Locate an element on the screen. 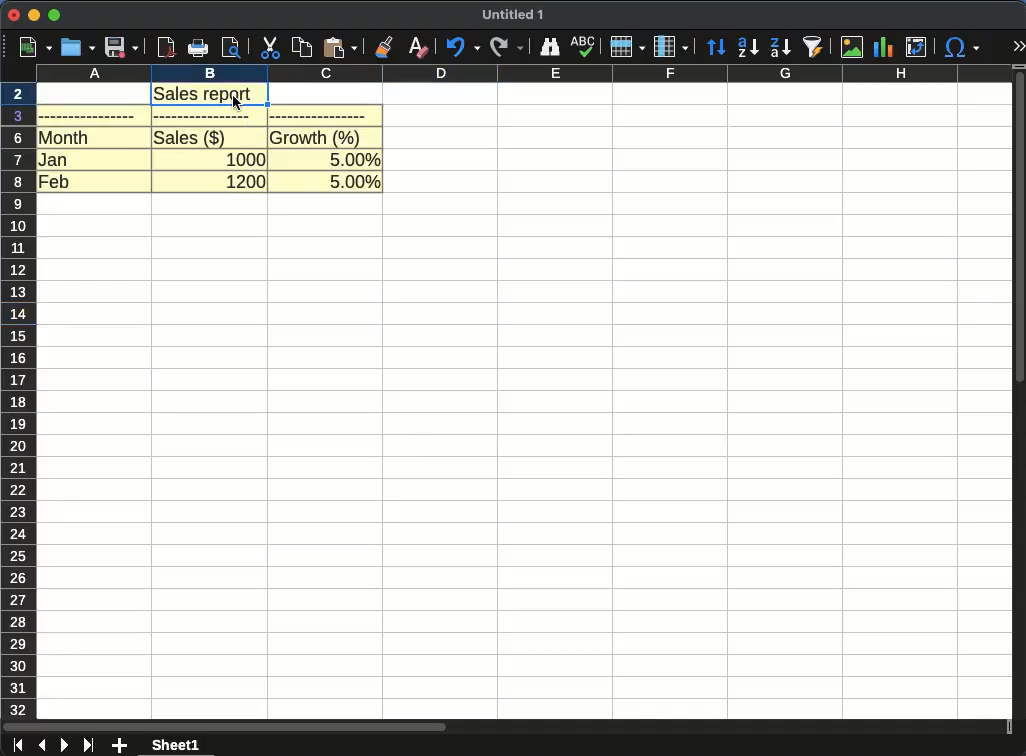 This screenshot has height=756, width=1026. paste is located at coordinates (339, 47).